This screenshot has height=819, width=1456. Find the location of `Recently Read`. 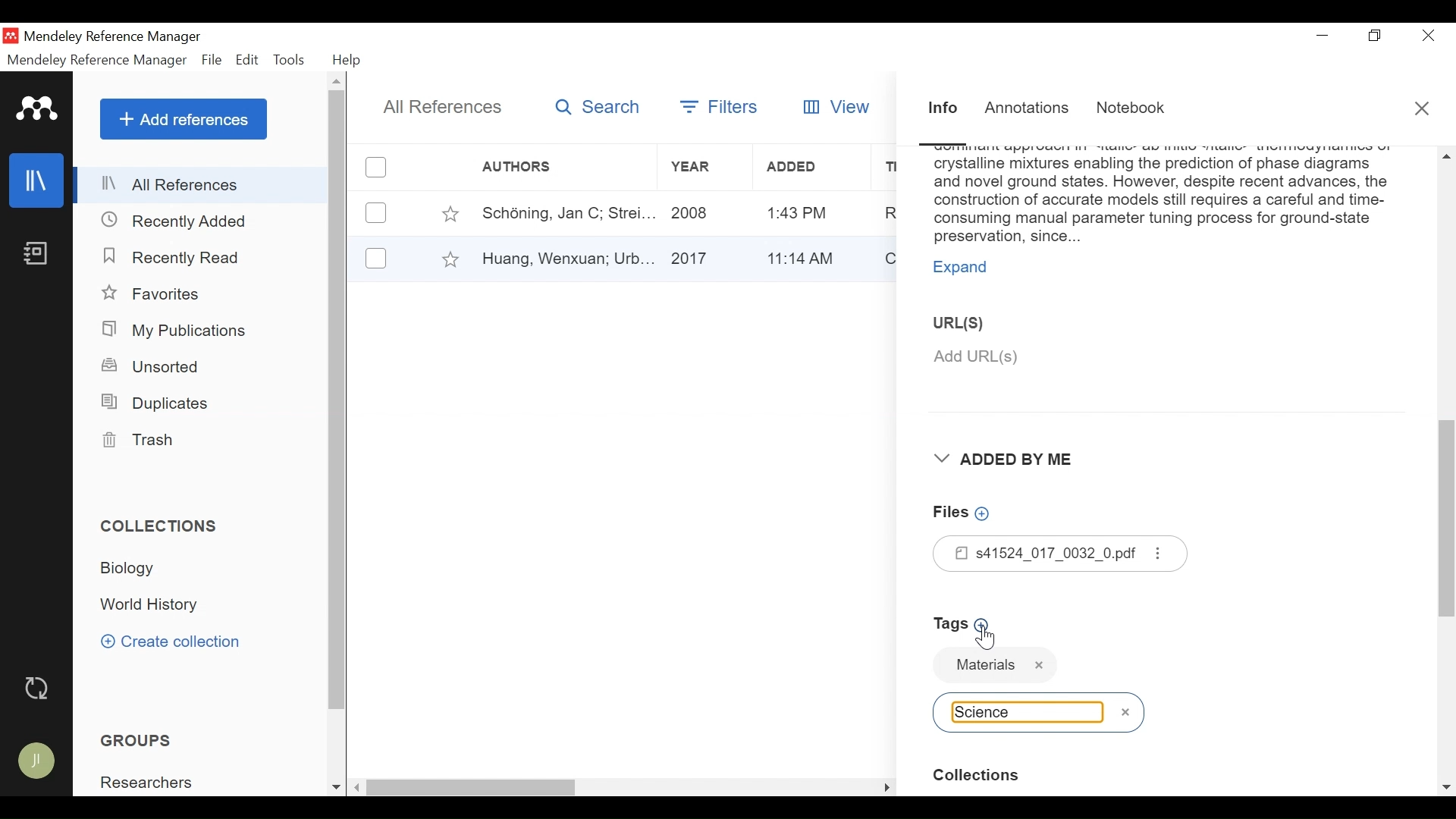

Recently Read is located at coordinates (180, 259).